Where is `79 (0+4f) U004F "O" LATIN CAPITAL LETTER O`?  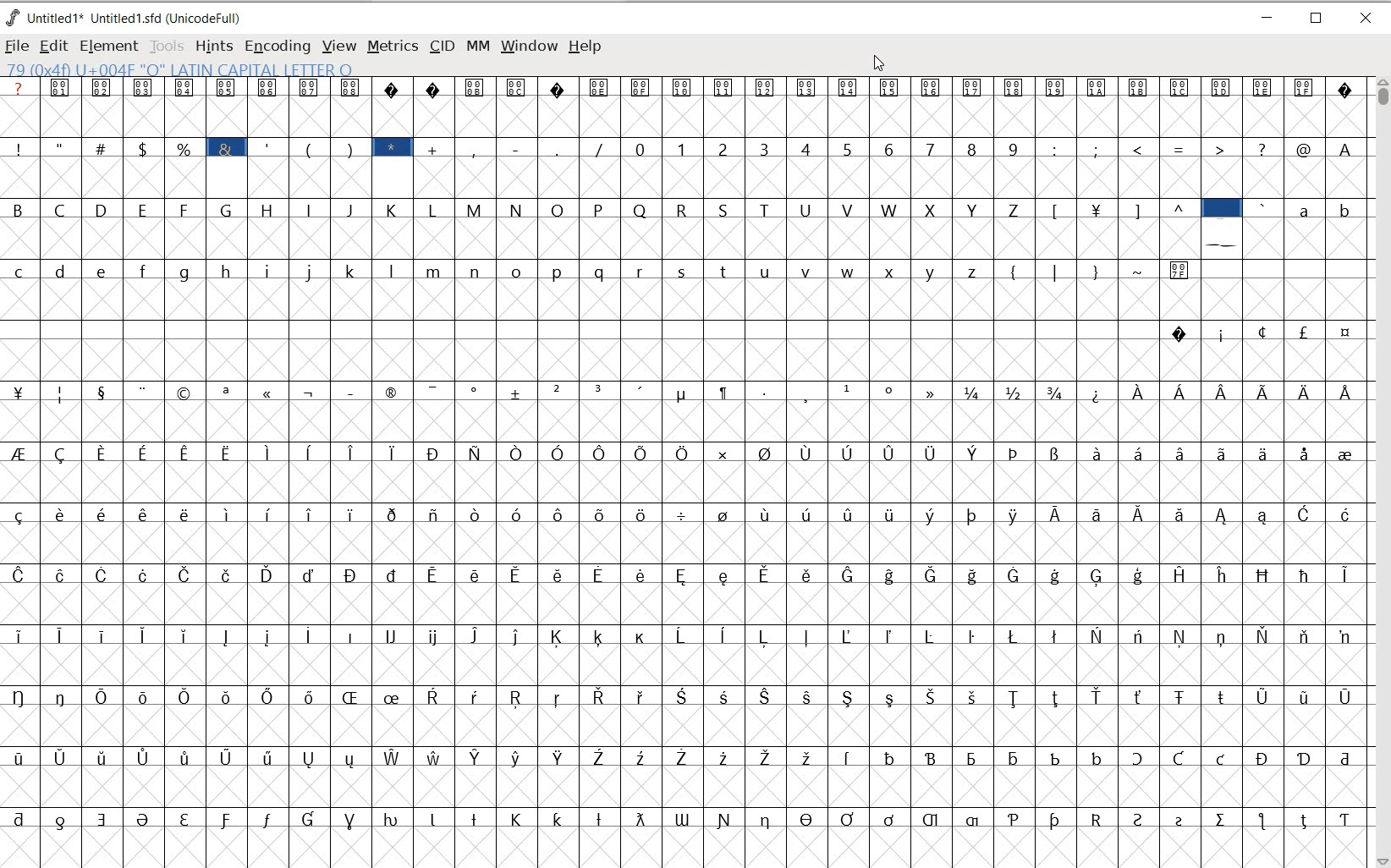
79 (0+4f) U004F "O" LATIN CAPITAL LETTER O is located at coordinates (184, 69).